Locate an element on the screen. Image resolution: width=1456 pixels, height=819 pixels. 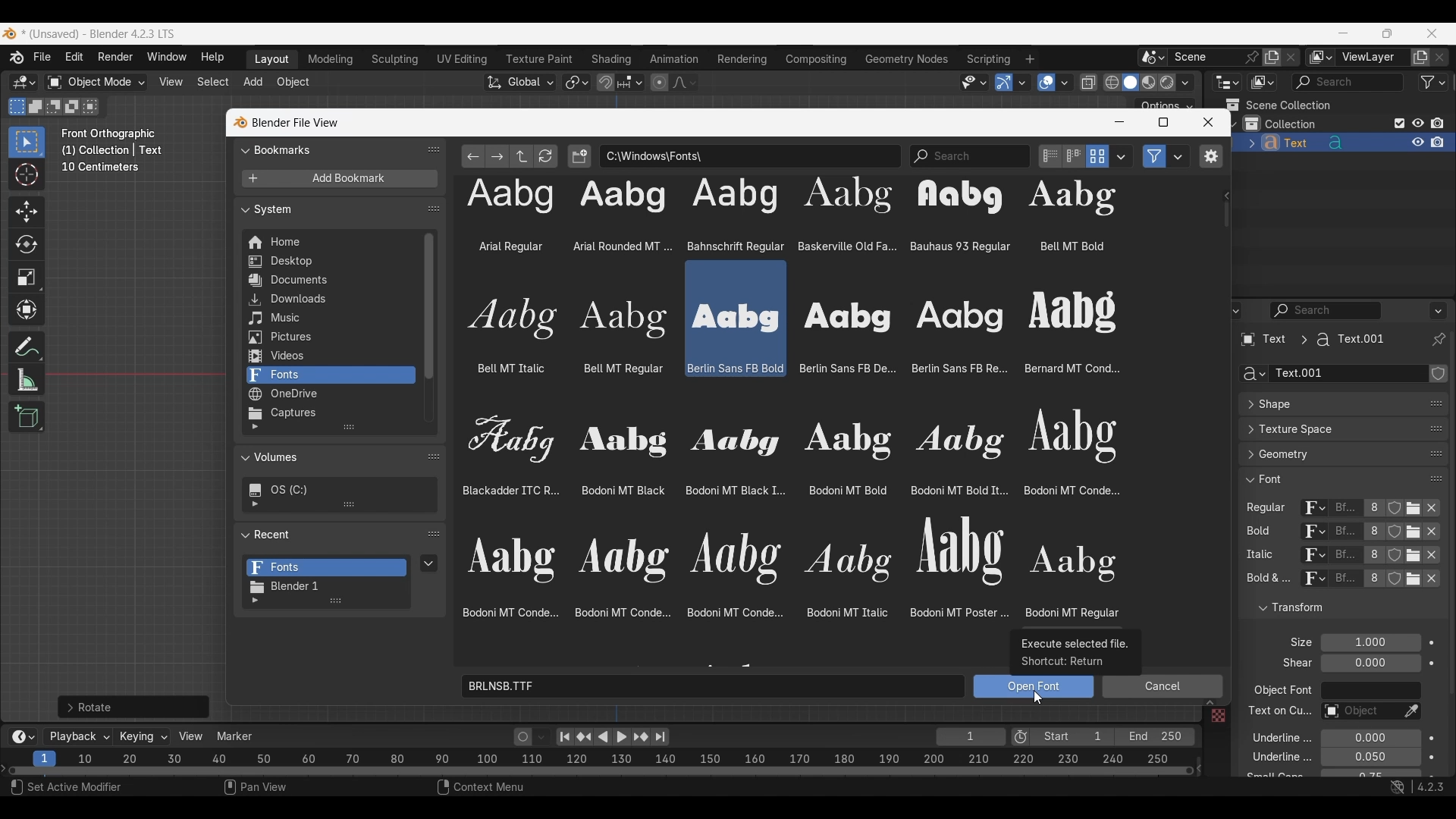
Change order in the list is located at coordinates (1438, 371).